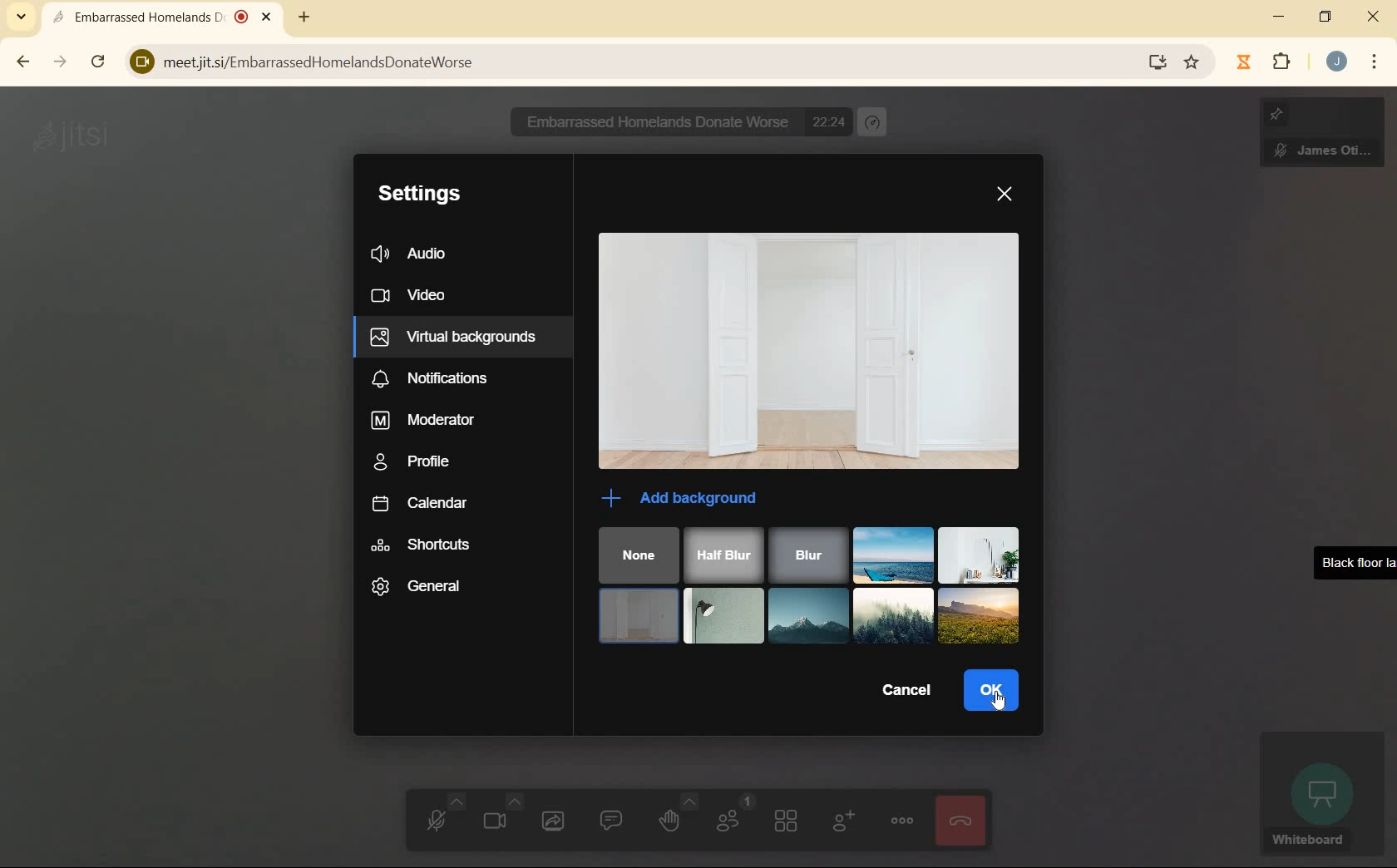 The width and height of the screenshot is (1397, 868). Describe the element at coordinates (432, 588) in the screenshot. I see `general` at that location.